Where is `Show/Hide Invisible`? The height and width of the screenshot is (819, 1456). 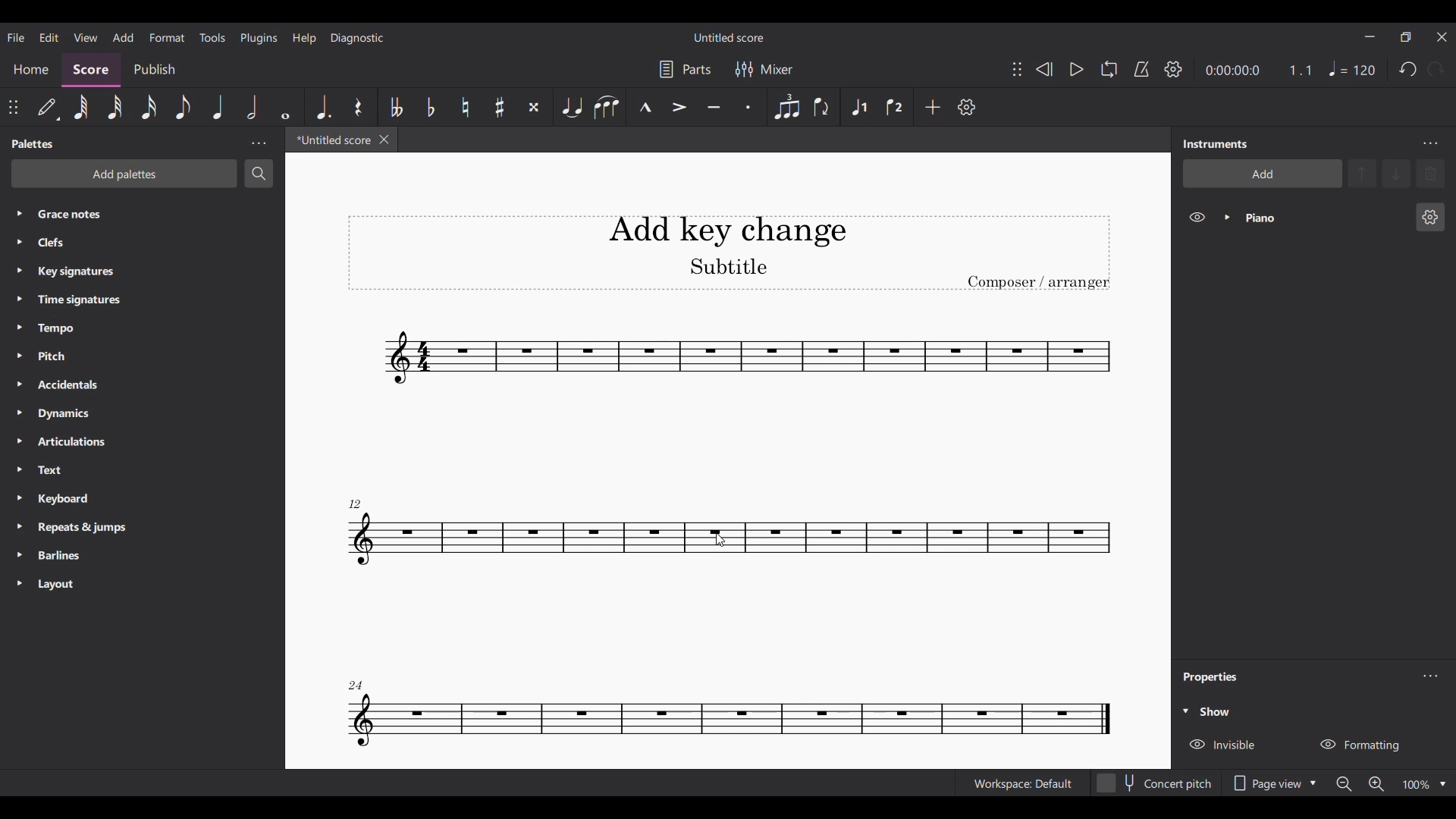 Show/Hide Invisible is located at coordinates (1223, 745).